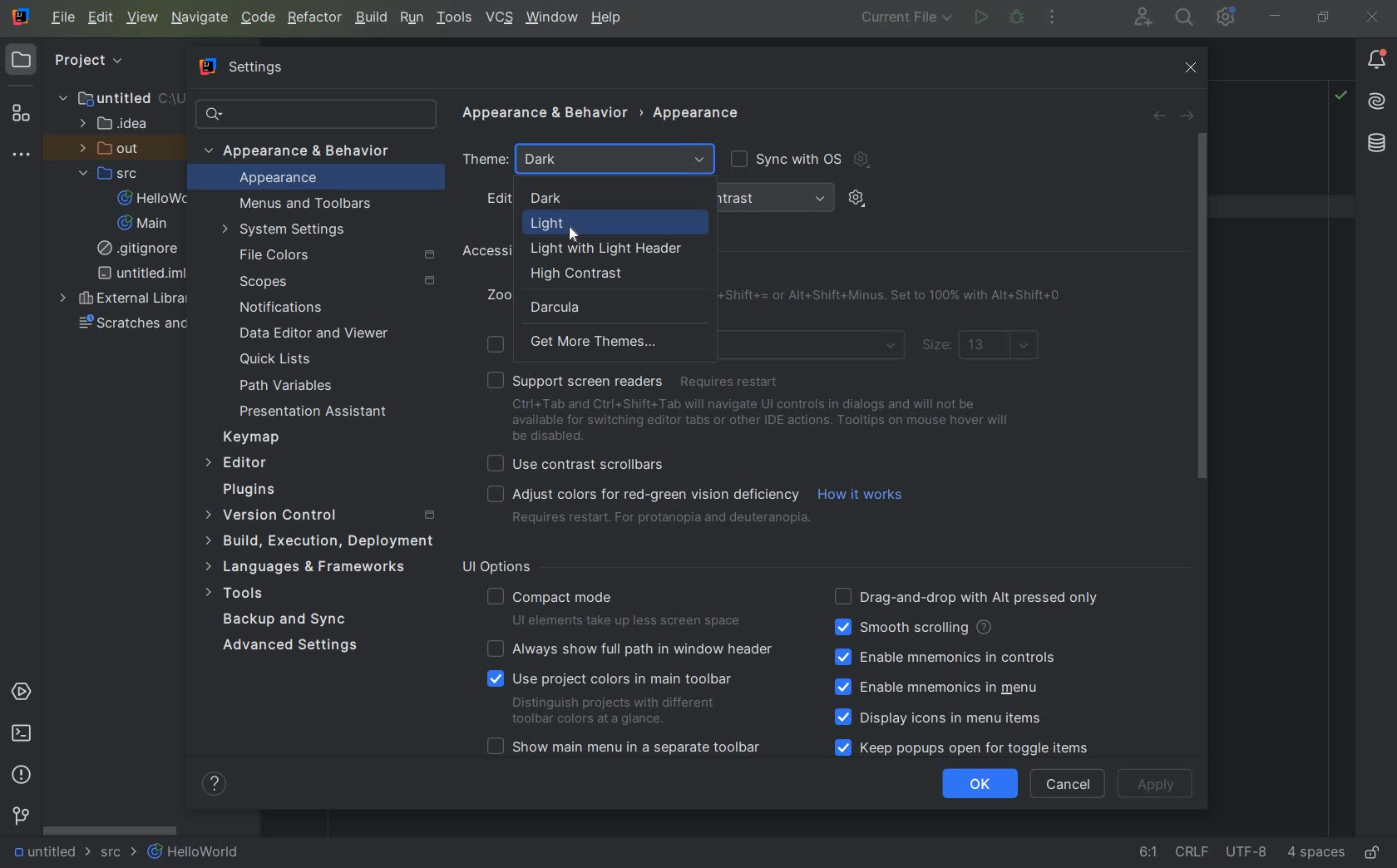  I want to click on close, so click(1194, 68).